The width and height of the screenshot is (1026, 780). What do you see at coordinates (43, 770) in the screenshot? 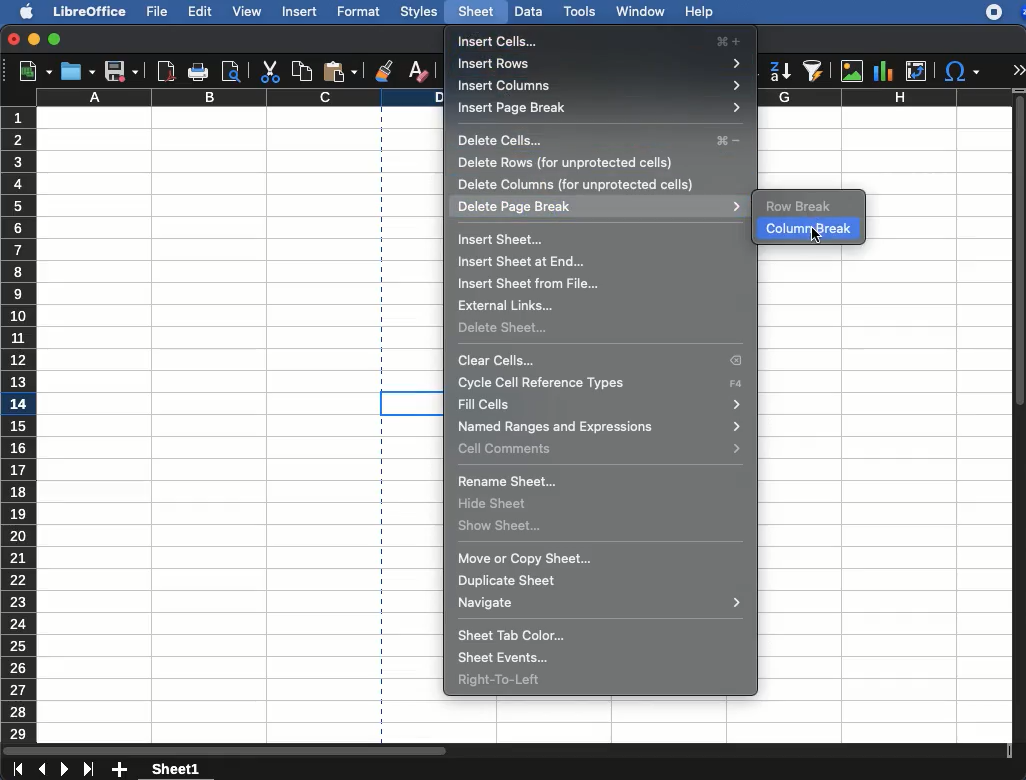
I see `previous sheet` at bounding box center [43, 770].